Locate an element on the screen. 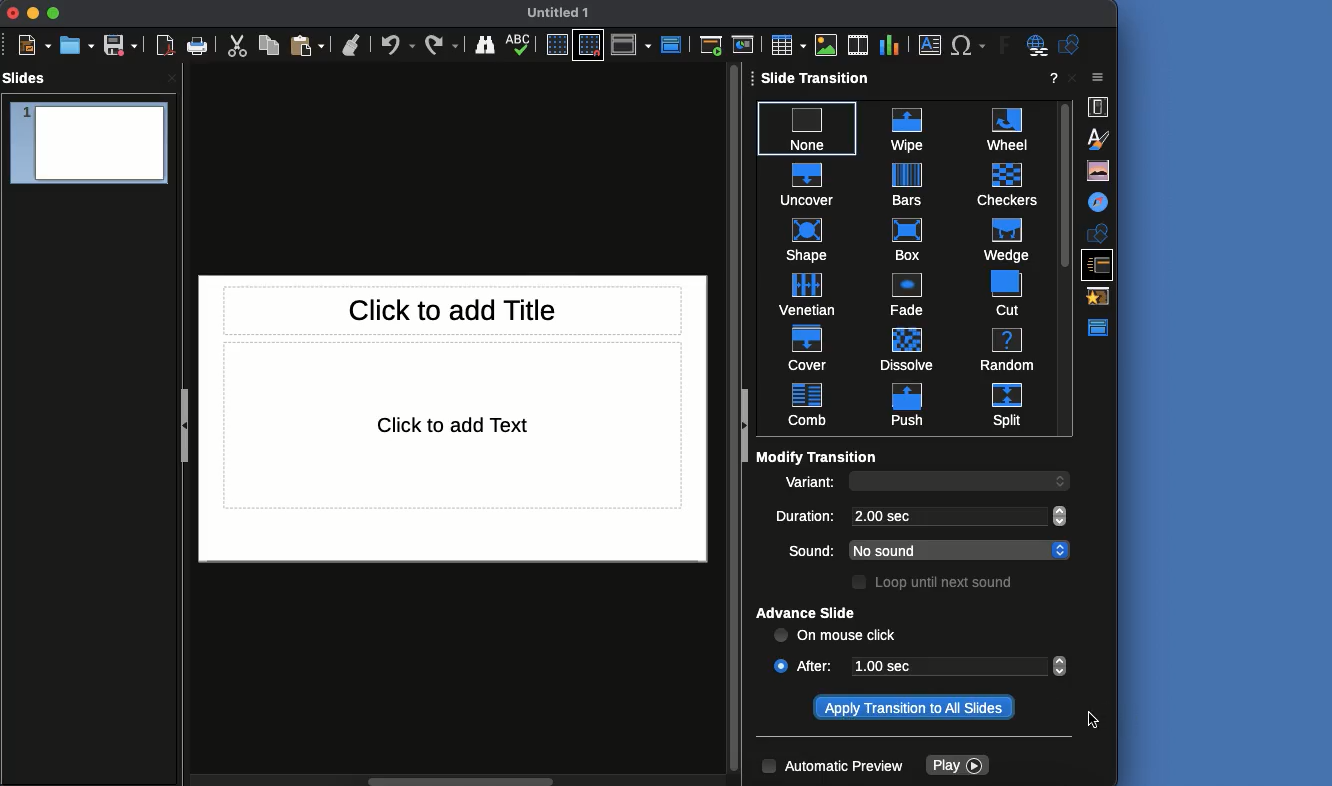 The height and width of the screenshot is (786, 1332). Shapes is located at coordinates (1097, 232).